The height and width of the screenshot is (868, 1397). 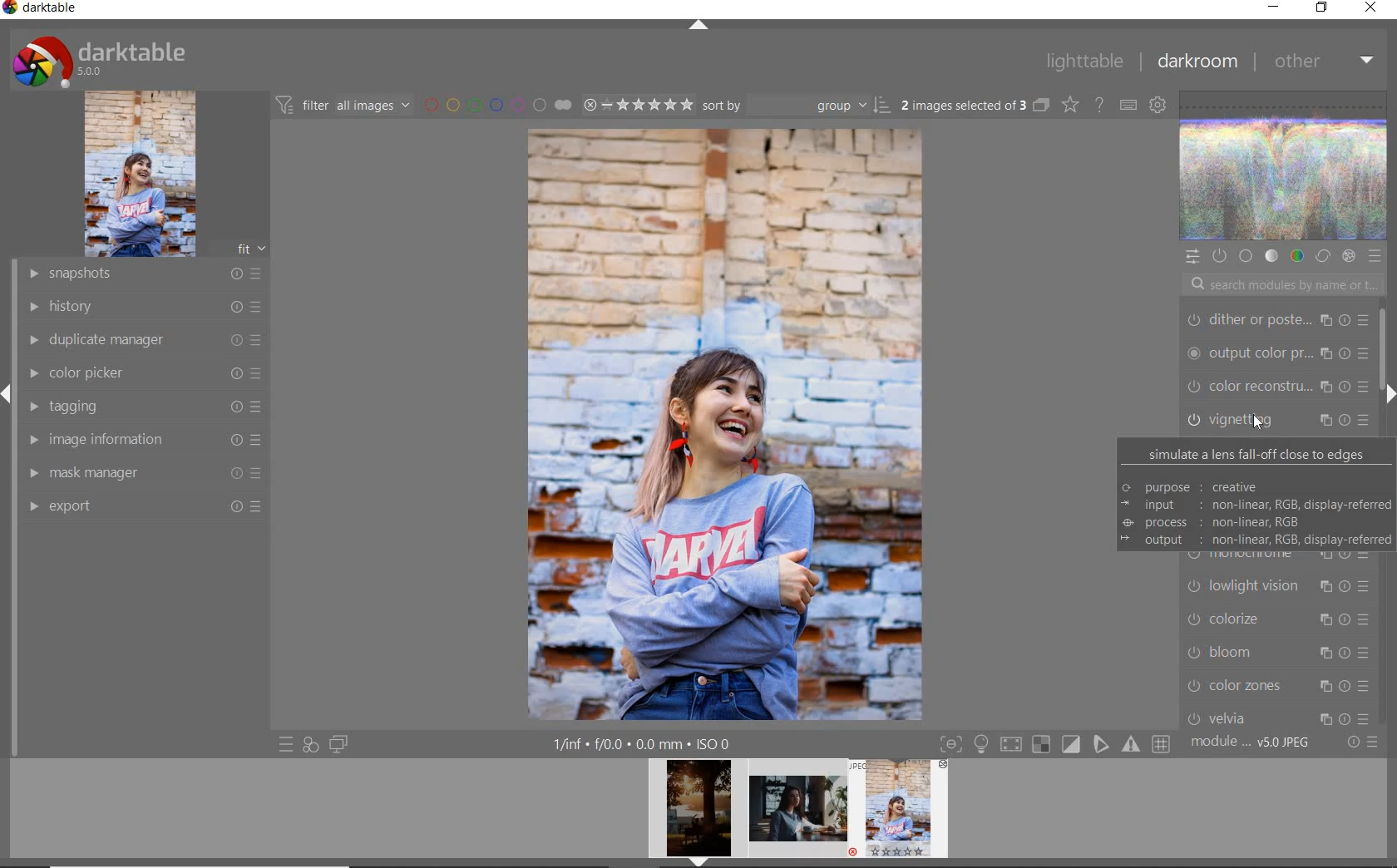 I want to click on vignetting, so click(x=1274, y=417).